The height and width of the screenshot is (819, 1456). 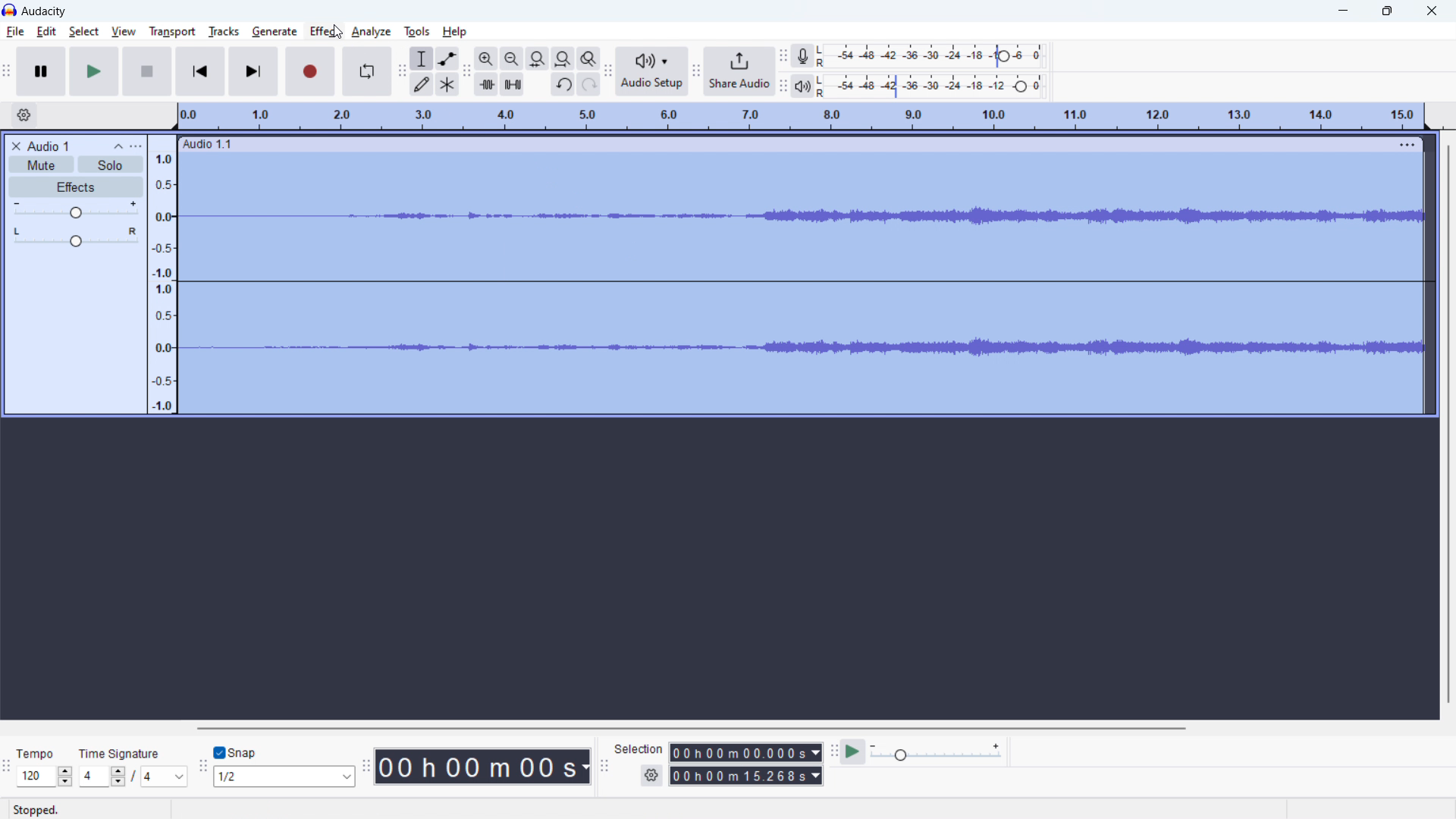 What do you see at coordinates (148, 71) in the screenshot?
I see `stop` at bounding box center [148, 71].